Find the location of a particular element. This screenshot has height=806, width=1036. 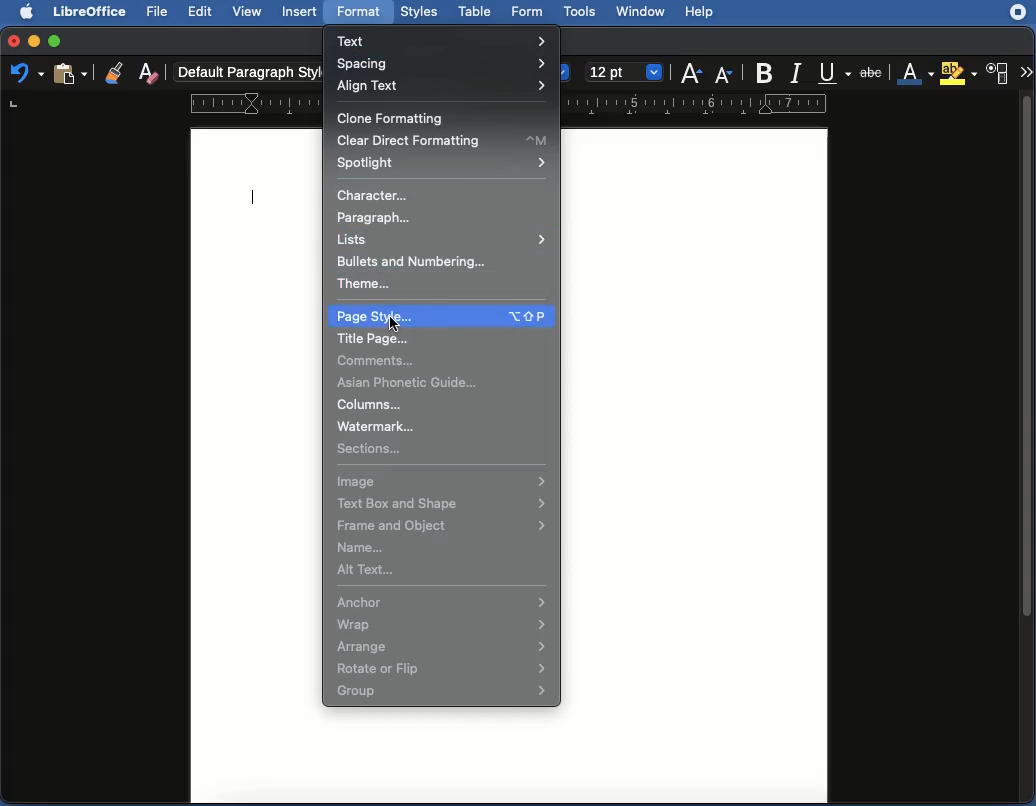

More is located at coordinates (1026, 70).